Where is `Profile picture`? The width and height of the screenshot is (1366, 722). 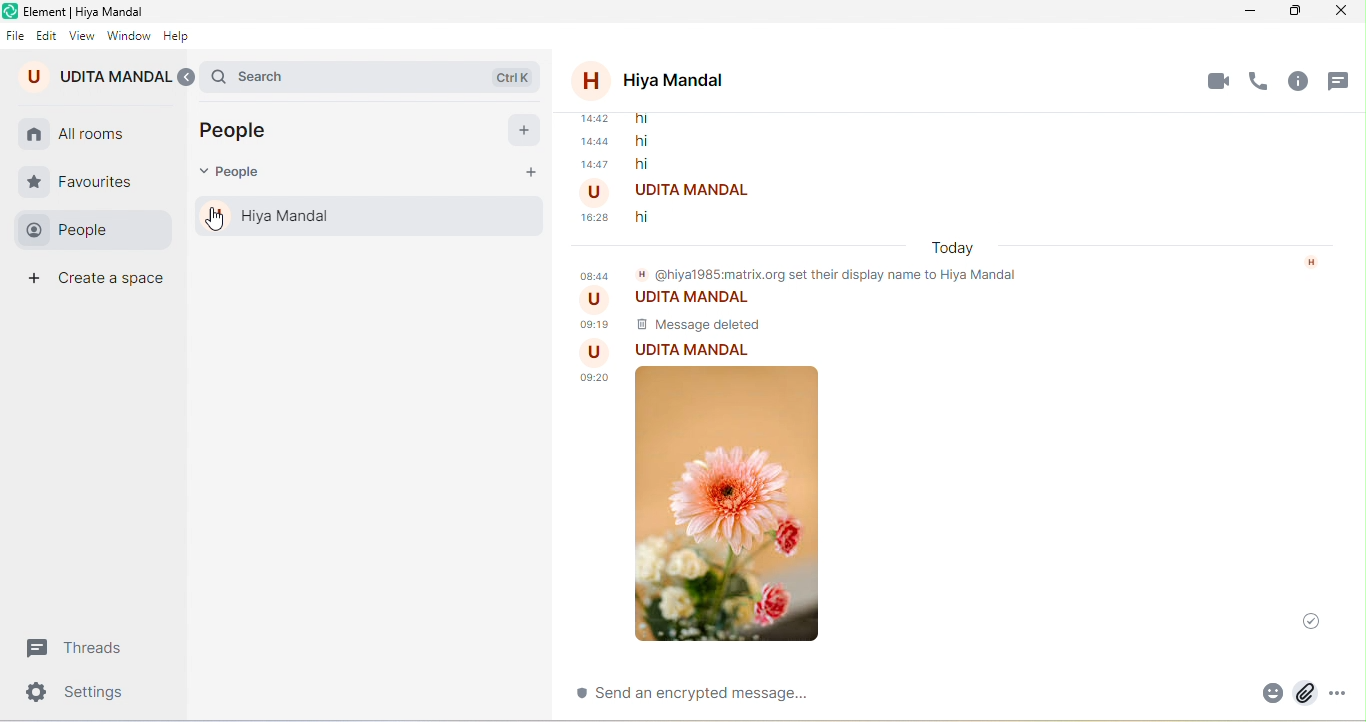
Profile picture is located at coordinates (596, 354).